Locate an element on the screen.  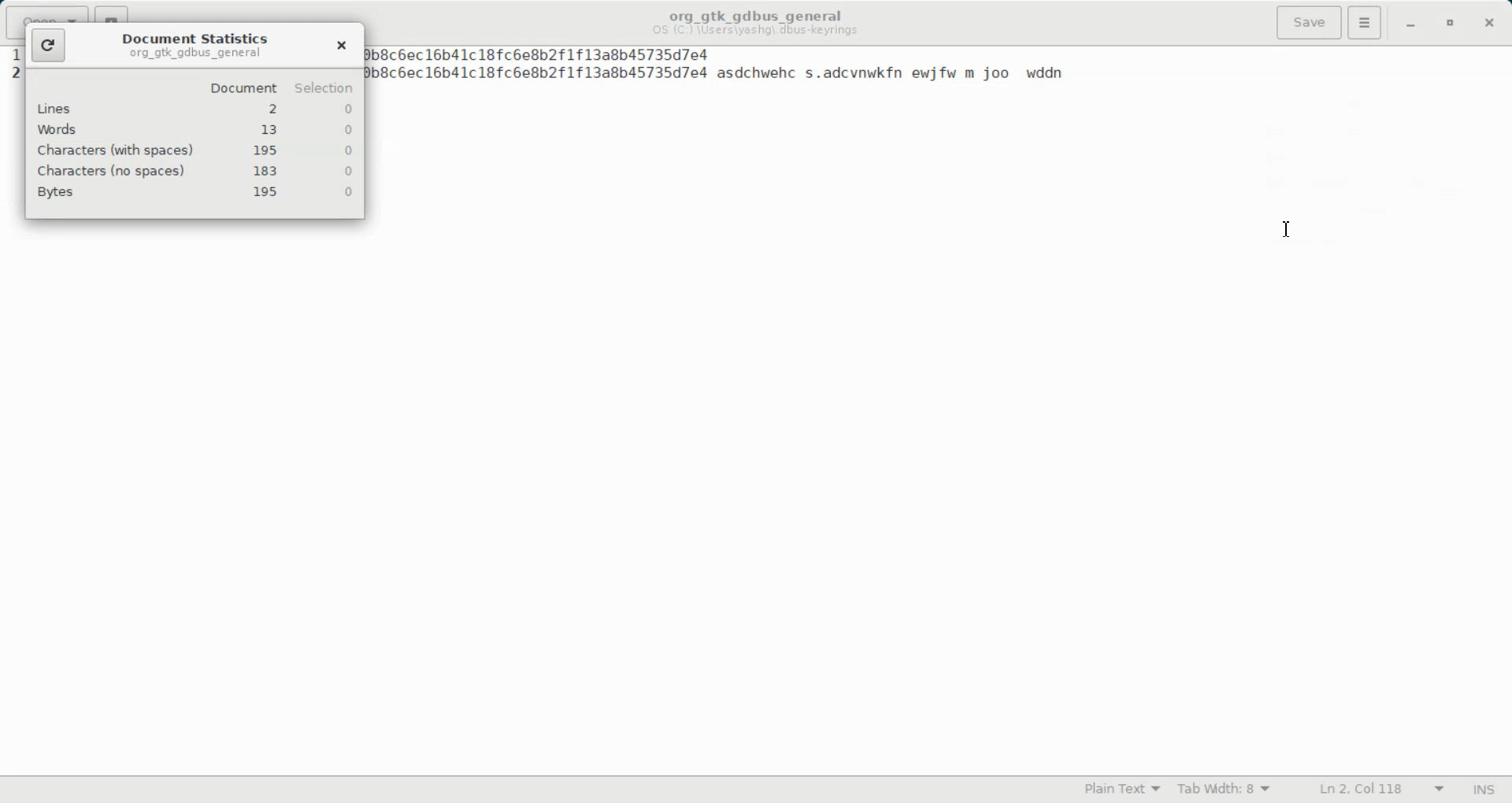
Refresh is located at coordinates (48, 46).